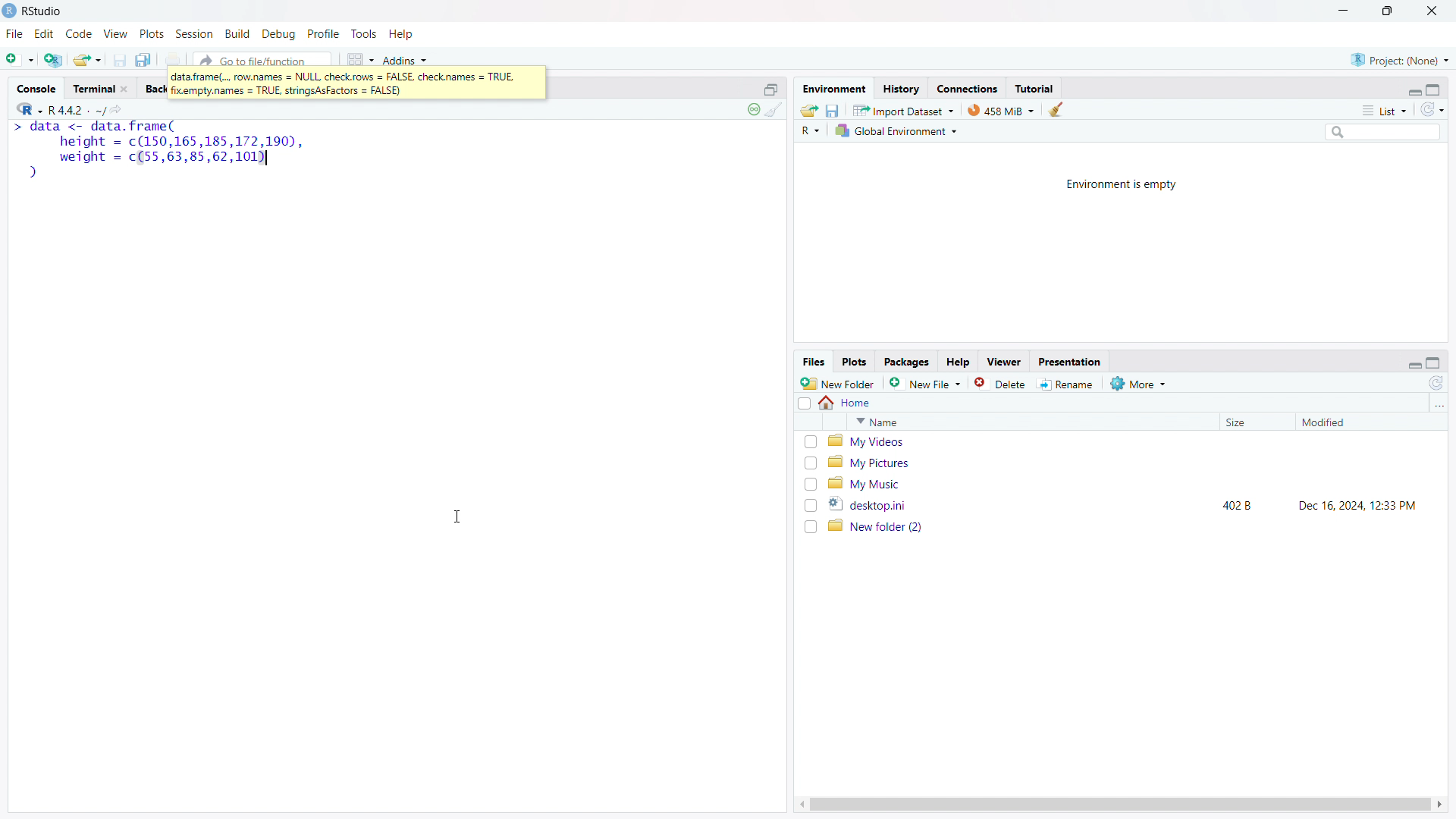 The height and width of the screenshot is (819, 1456). I want to click on rstudio, so click(43, 11).